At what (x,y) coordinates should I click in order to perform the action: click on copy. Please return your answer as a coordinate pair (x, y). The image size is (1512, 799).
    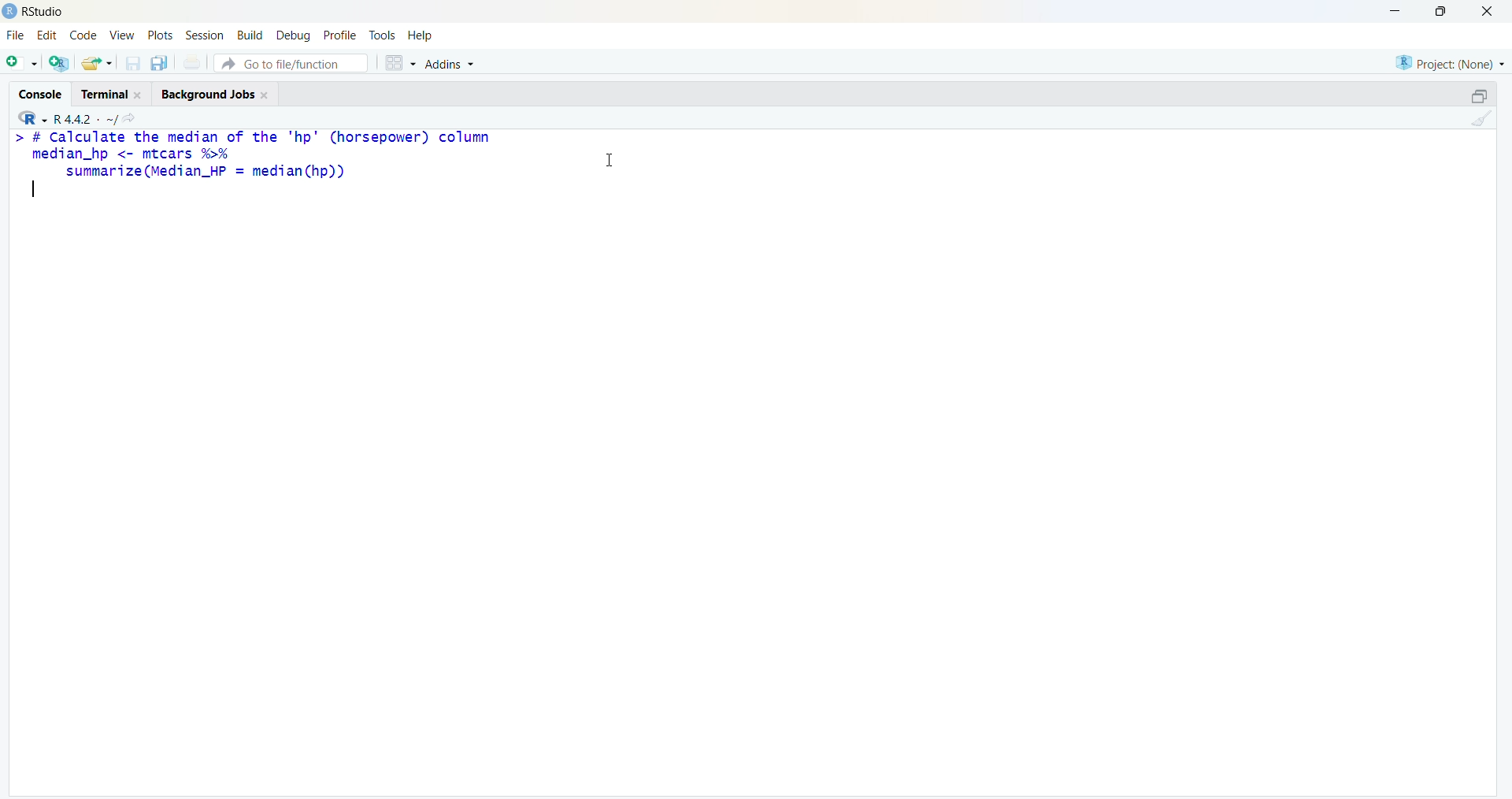
    Looking at the image, I should click on (160, 63).